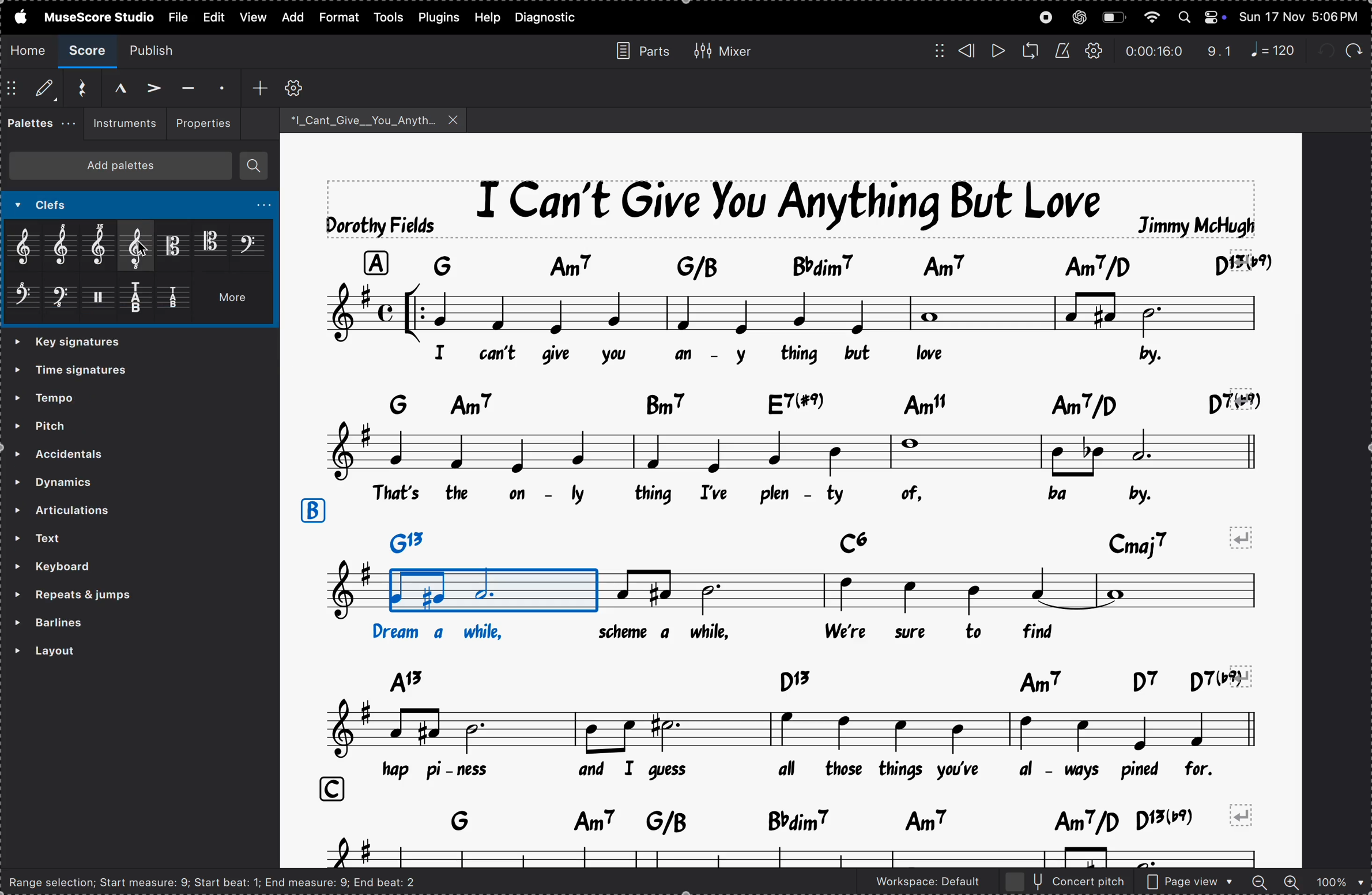  What do you see at coordinates (223, 881) in the screenshot?
I see `Range selection; Start measure: 9; Start beat: 1; End measure: 9; End beat: 2` at bounding box center [223, 881].